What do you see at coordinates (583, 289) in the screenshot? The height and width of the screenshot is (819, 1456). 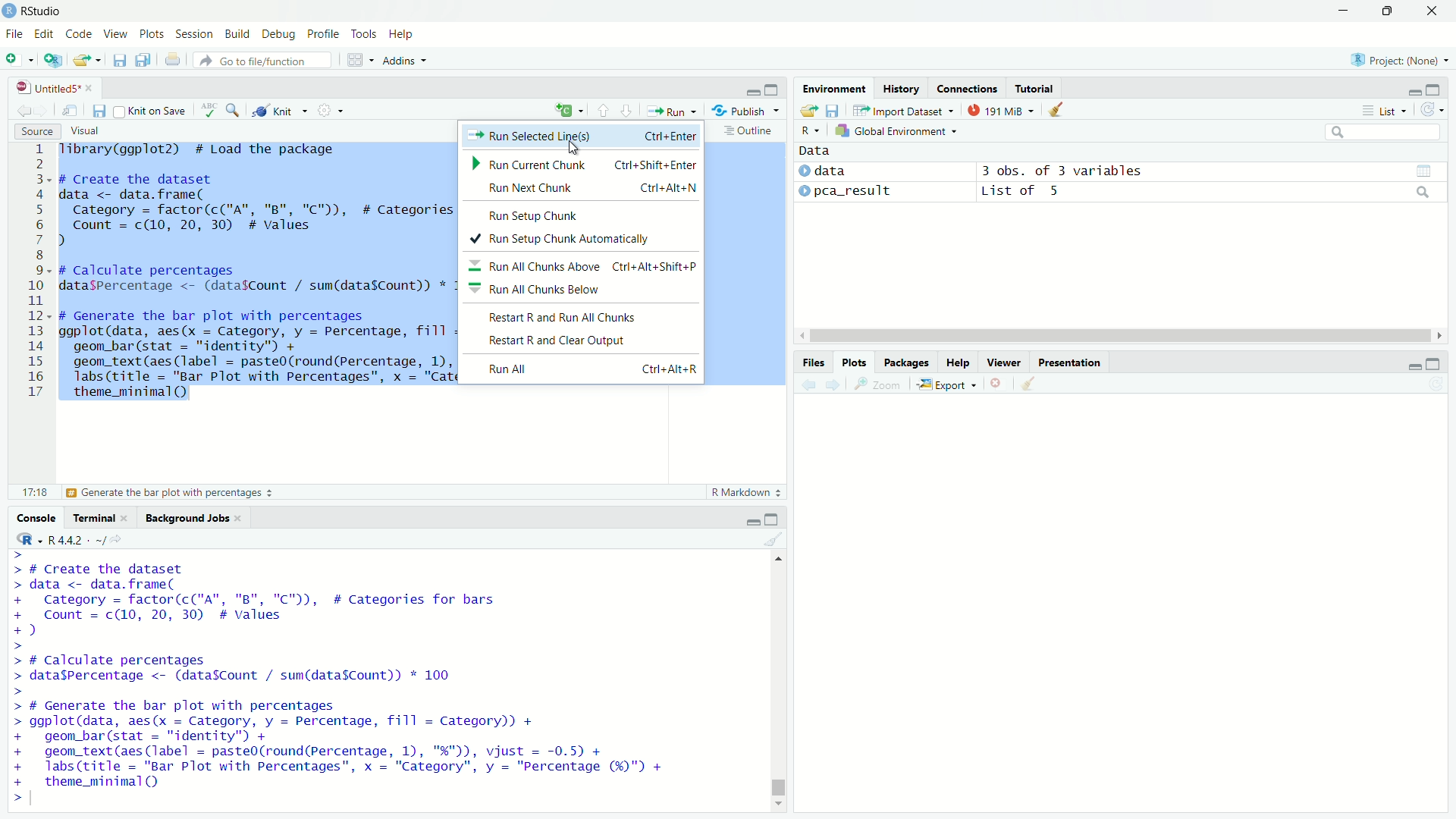 I see `run all chunks below` at bounding box center [583, 289].